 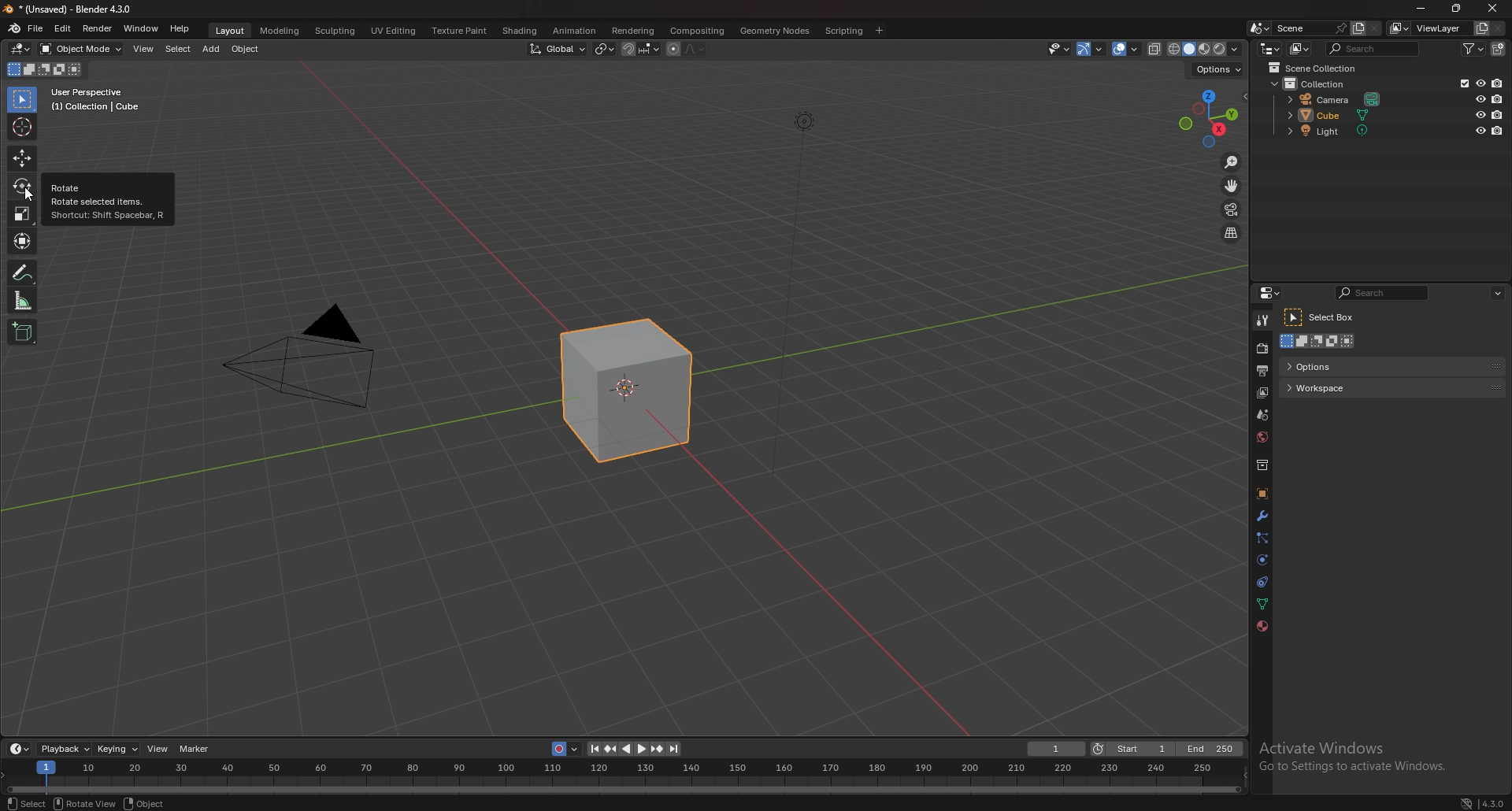 What do you see at coordinates (575, 31) in the screenshot?
I see `animation` at bounding box center [575, 31].